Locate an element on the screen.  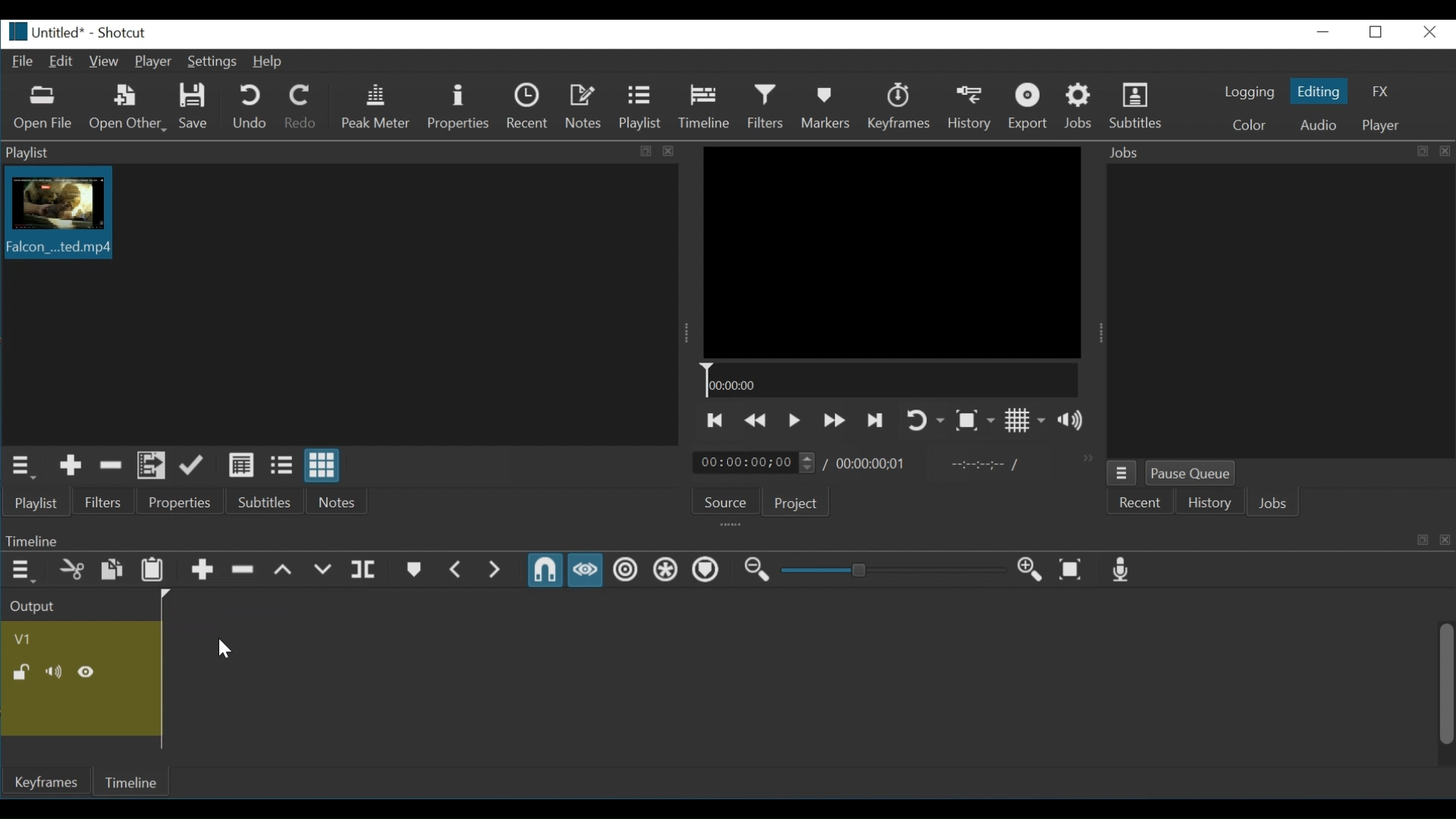
Timeline is located at coordinates (137, 780).